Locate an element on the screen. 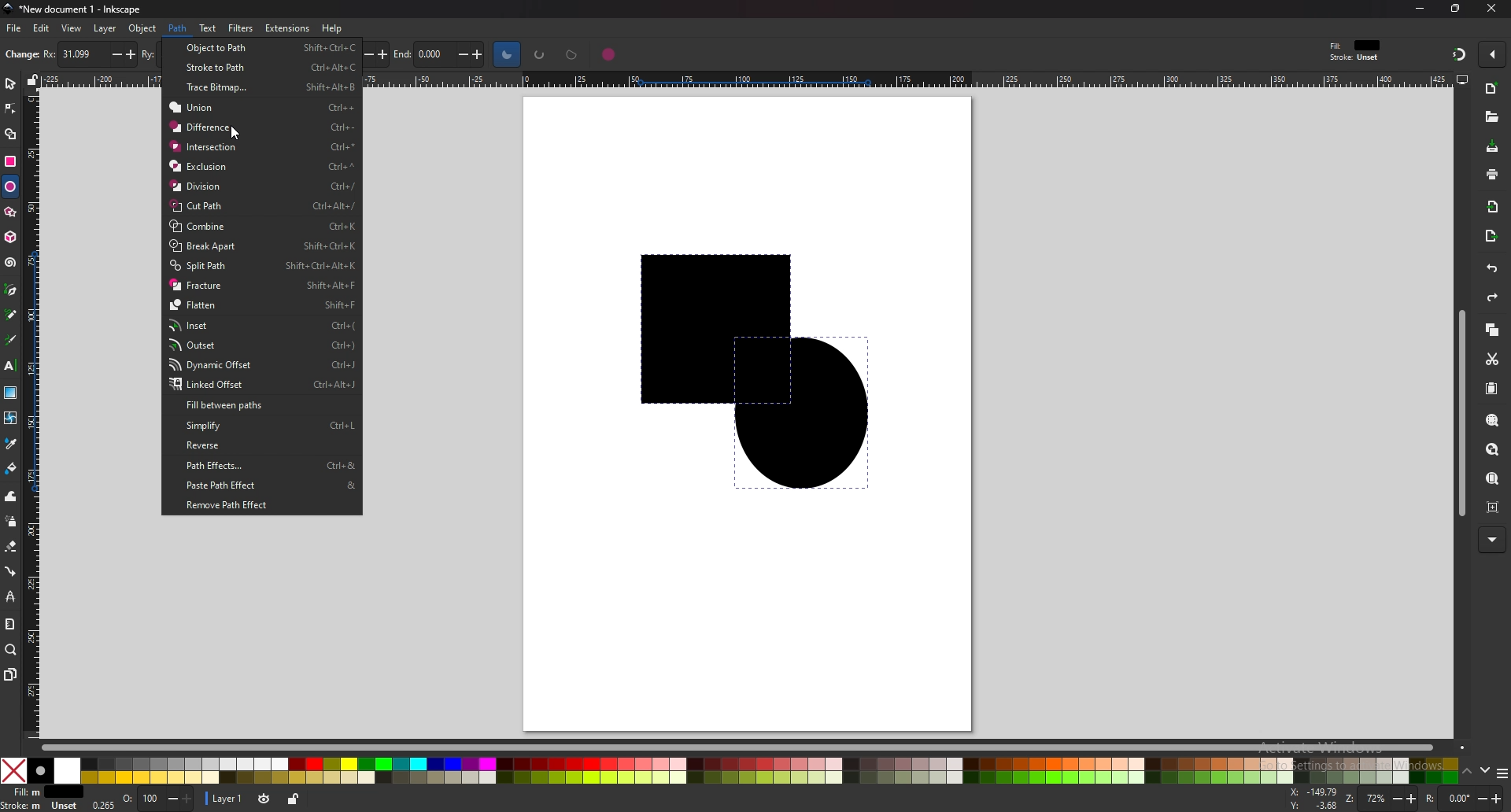 The image size is (1511, 812). more is located at coordinates (1491, 540).